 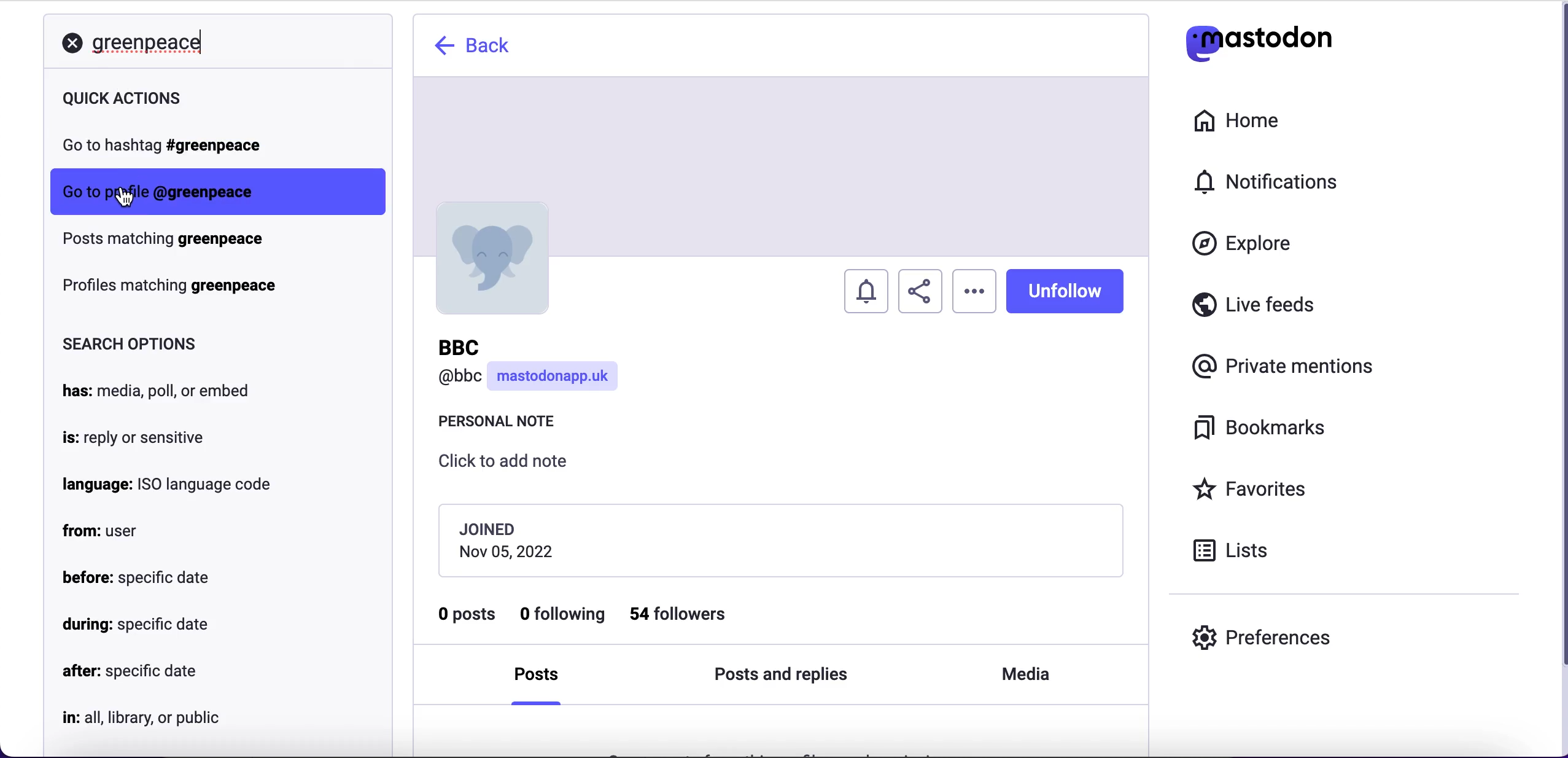 I want to click on has: media, so click(x=171, y=390).